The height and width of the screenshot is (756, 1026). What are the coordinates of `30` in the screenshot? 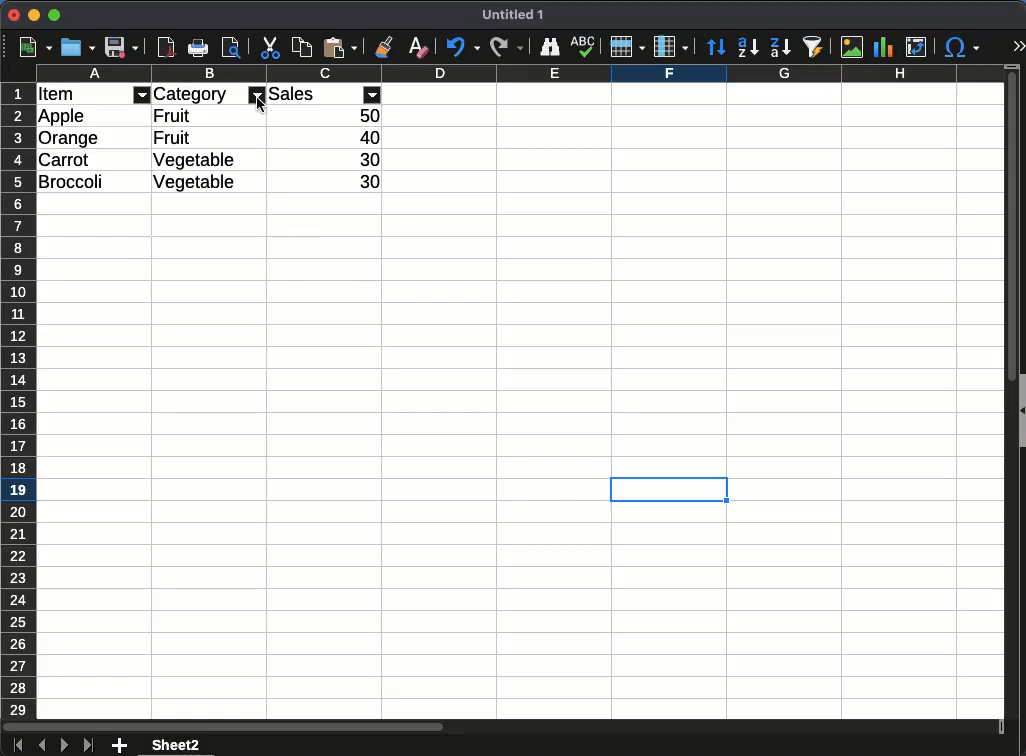 It's located at (367, 182).